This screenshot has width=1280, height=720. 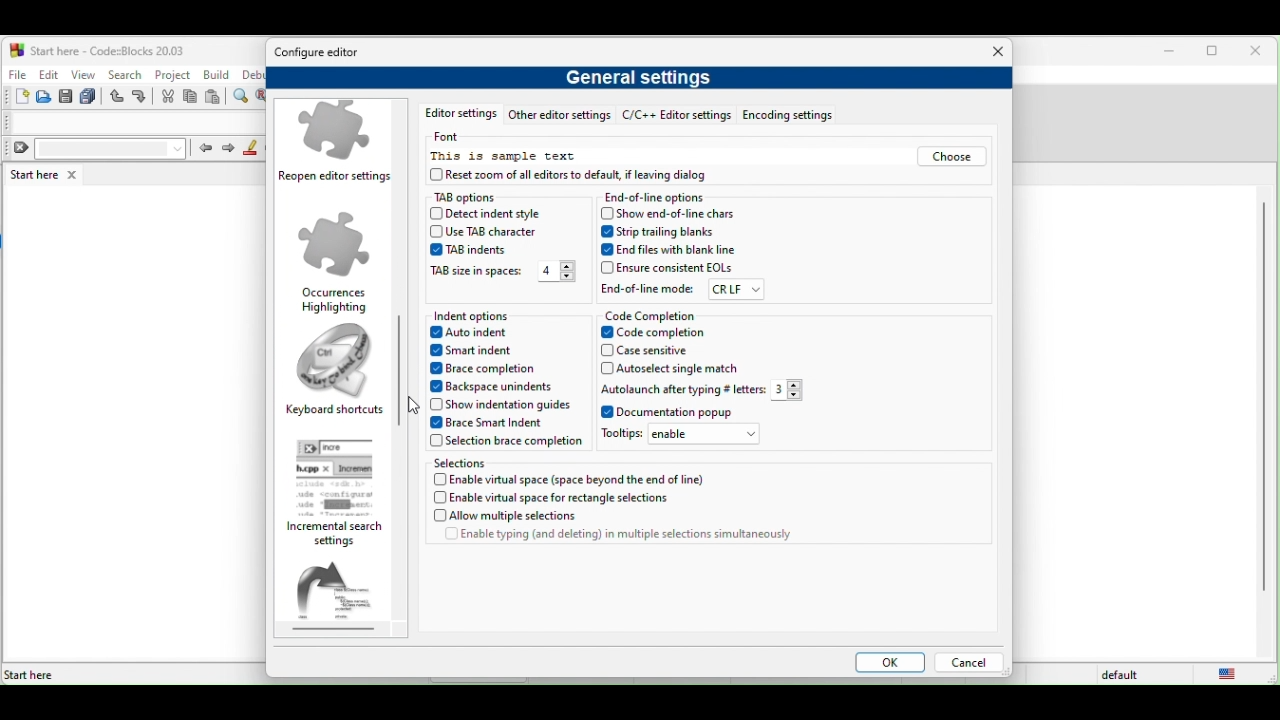 I want to click on smart indent, so click(x=480, y=352).